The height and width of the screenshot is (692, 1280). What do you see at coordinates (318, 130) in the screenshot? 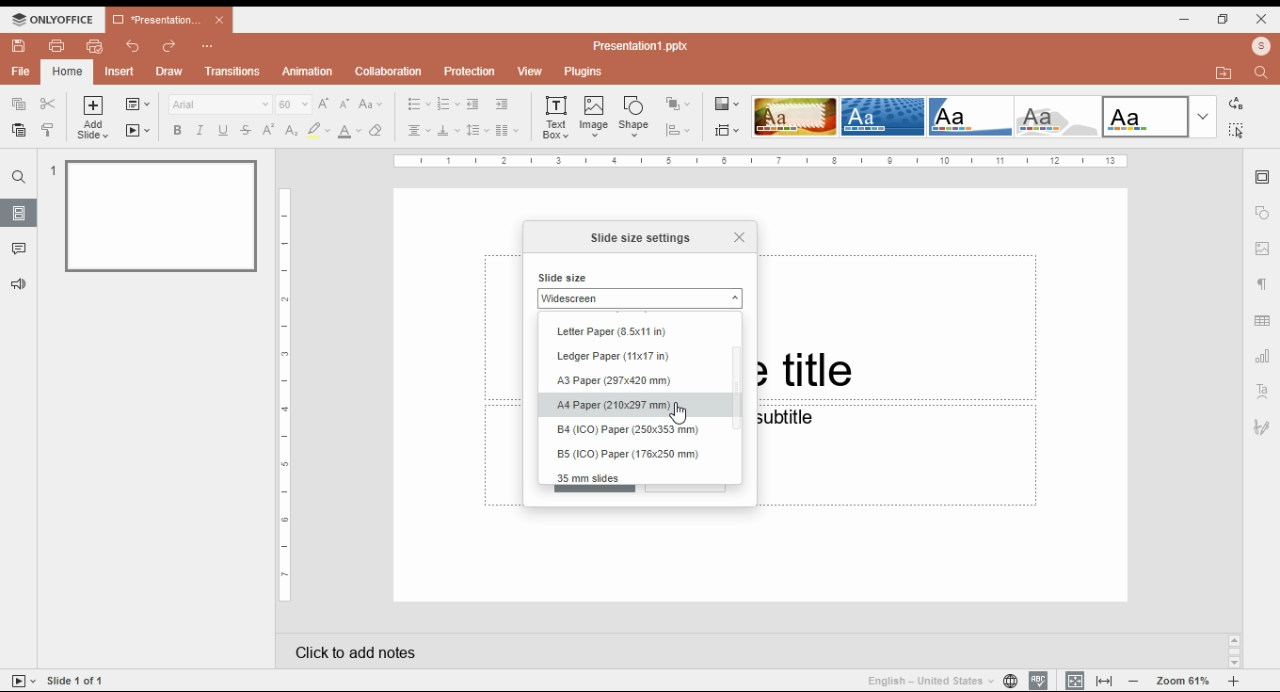
I see `highlight color` at bounding box center [318, 130].